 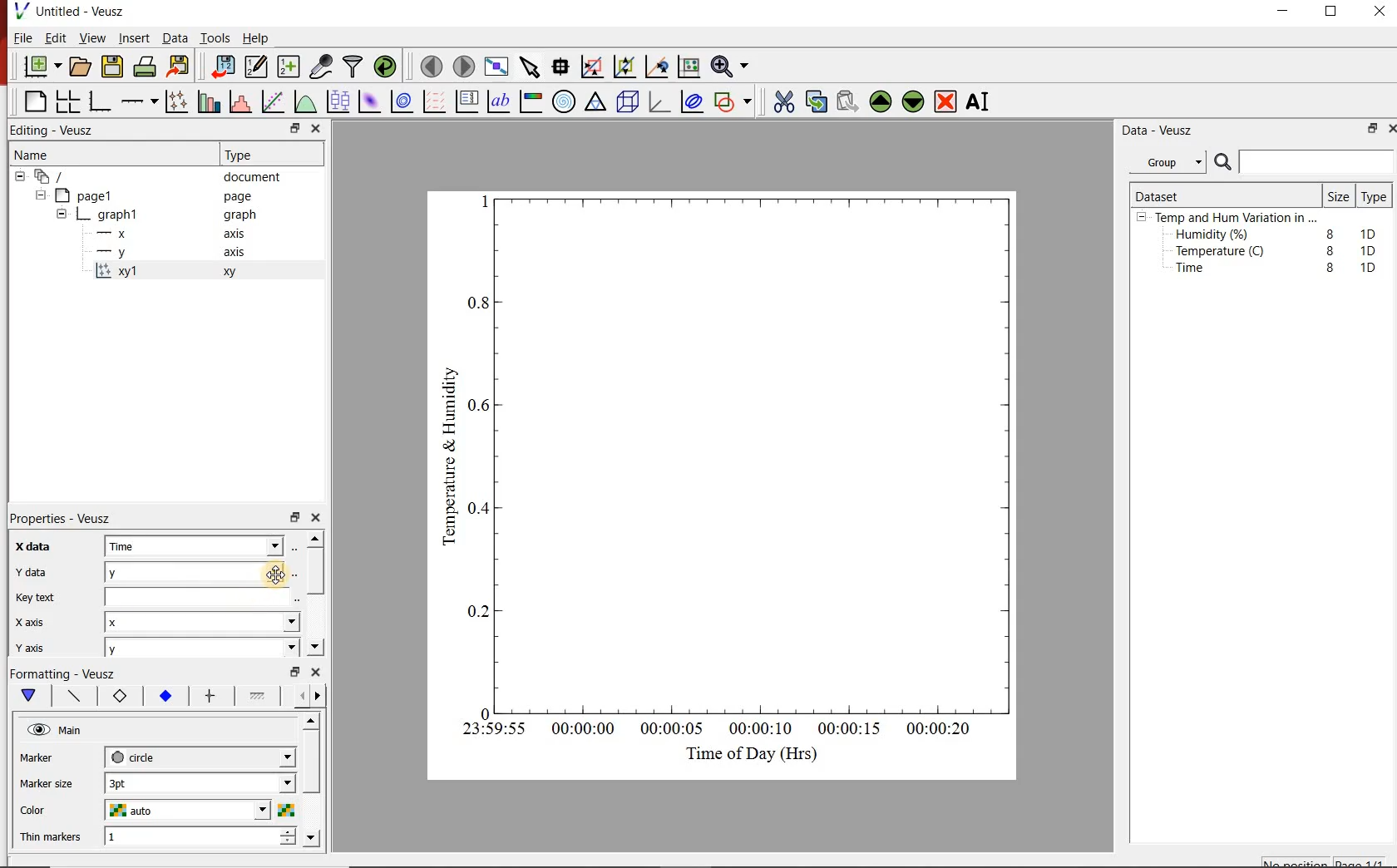 What do you see at coordinates (657, 67) in the screenshot?
I see `click to recenter graph axes` at bounding box center [657, 67].